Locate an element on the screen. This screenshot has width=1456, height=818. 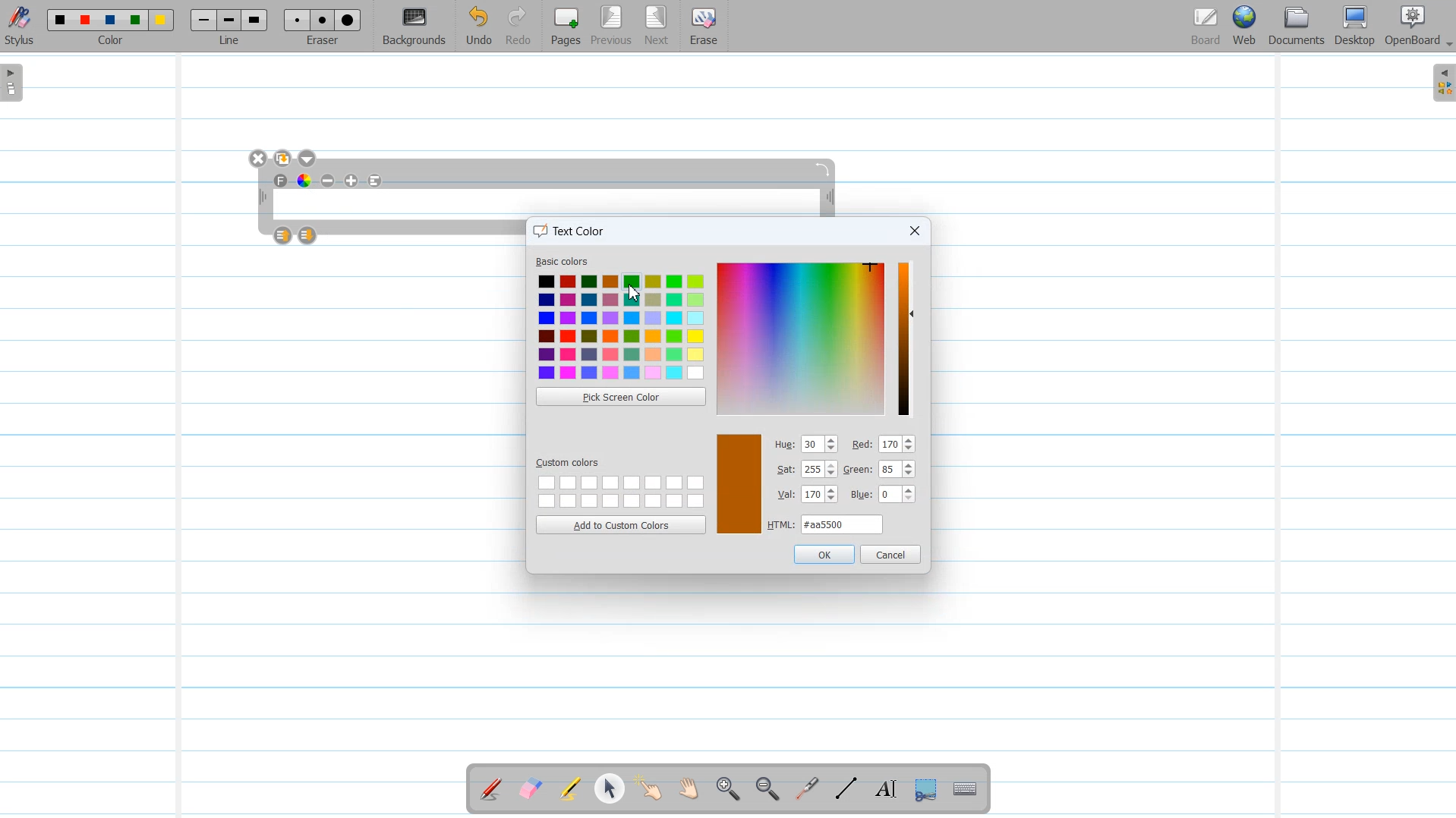
Web is located at coordinates (1246, 27).